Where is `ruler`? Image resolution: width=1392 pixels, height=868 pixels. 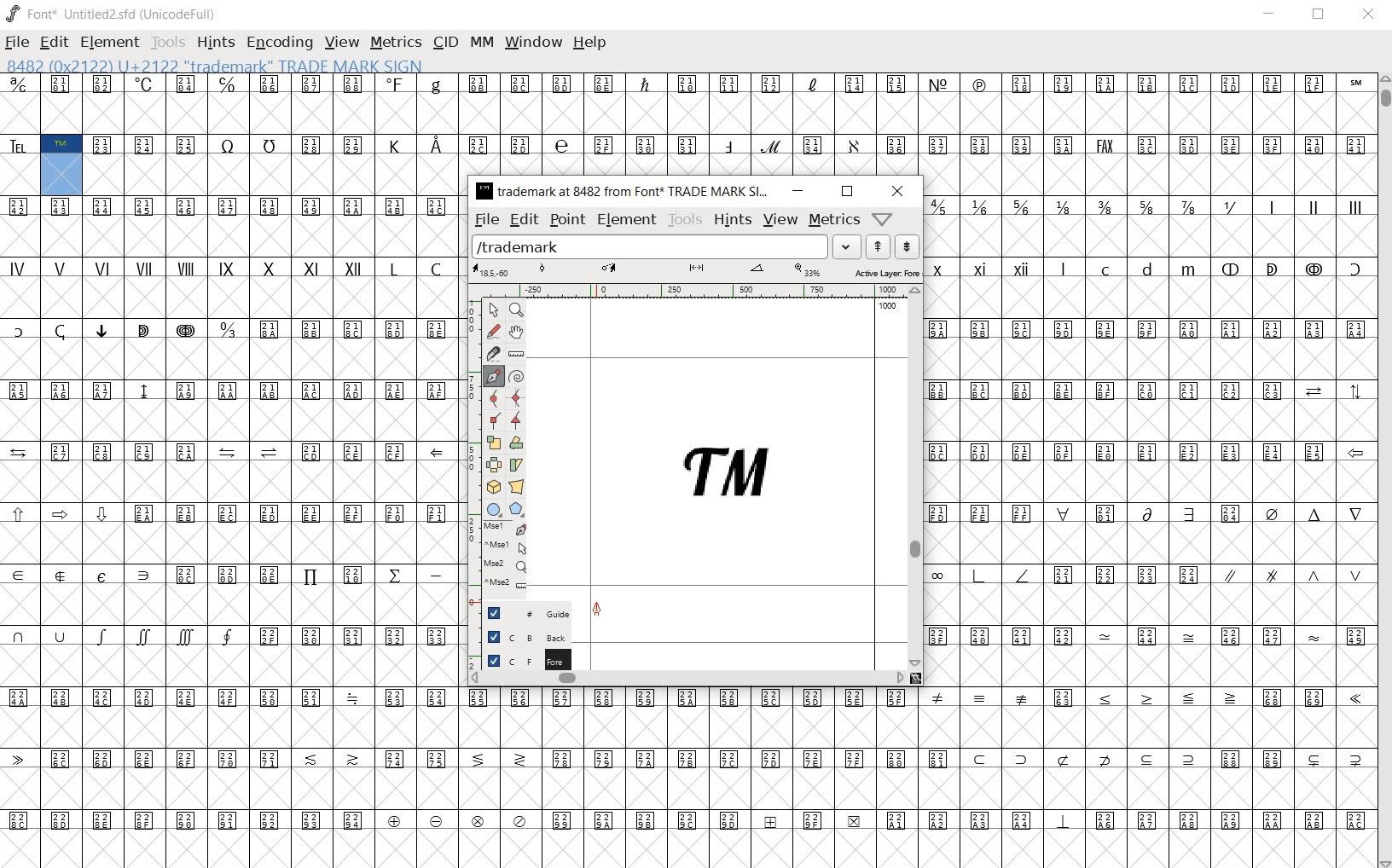 ruler is located at coordinates (695, 290).